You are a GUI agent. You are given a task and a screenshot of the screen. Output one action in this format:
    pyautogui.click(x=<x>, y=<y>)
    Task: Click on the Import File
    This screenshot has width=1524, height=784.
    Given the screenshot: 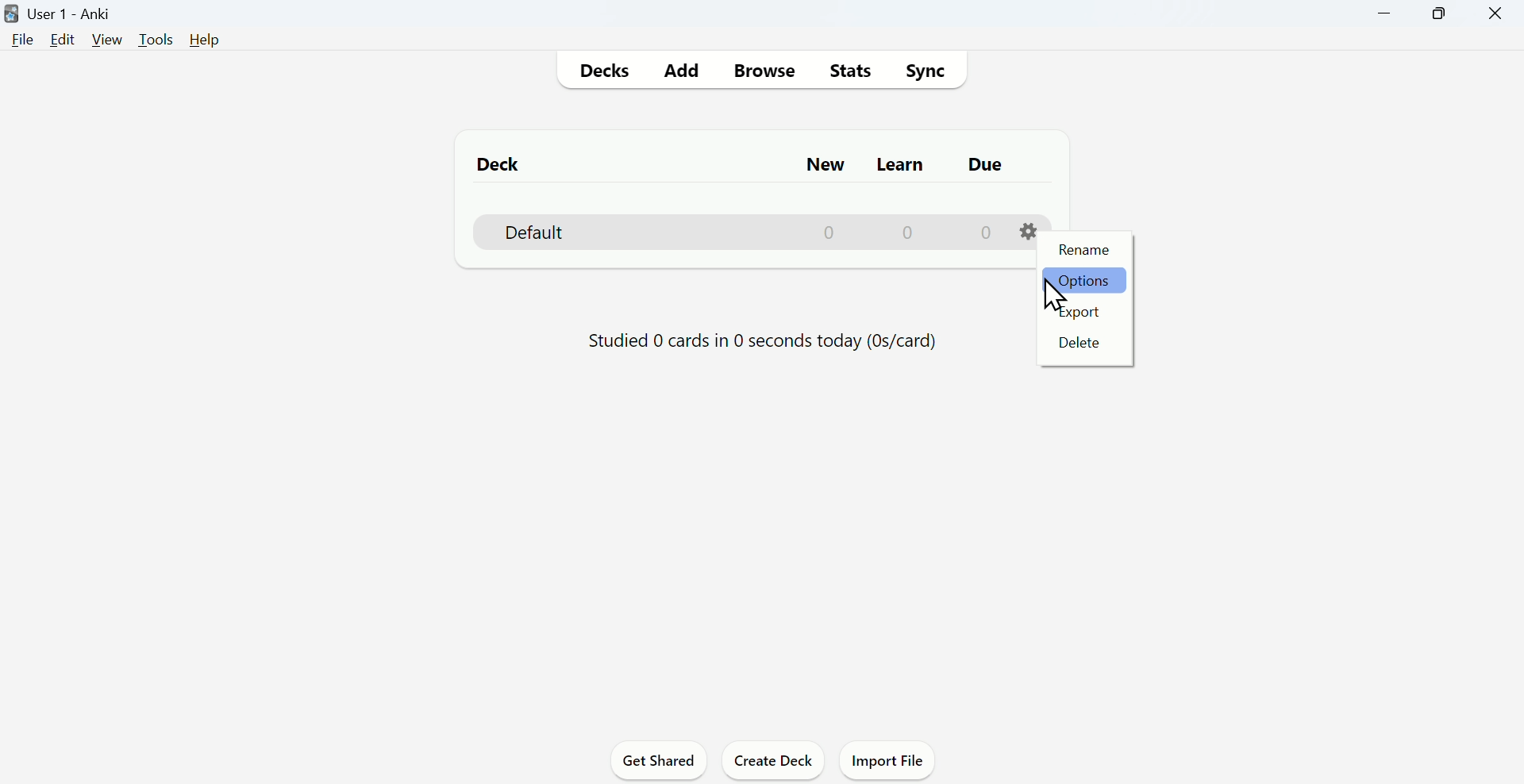 What is the action you would take?
    pyautogui.click(x=898, y=764)
    